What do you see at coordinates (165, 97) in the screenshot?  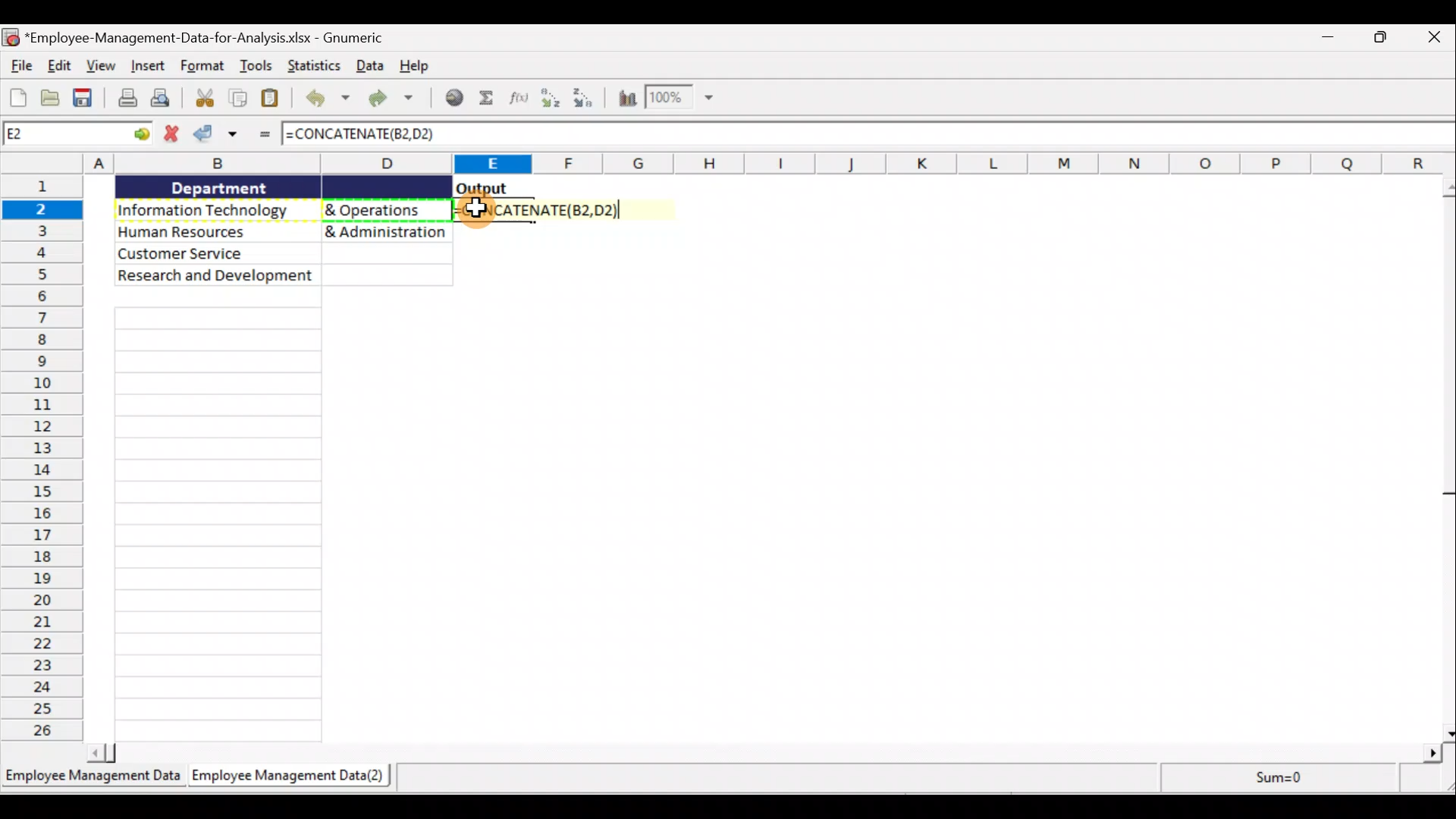 I see `Print preview` at bounding box center [165, 97].